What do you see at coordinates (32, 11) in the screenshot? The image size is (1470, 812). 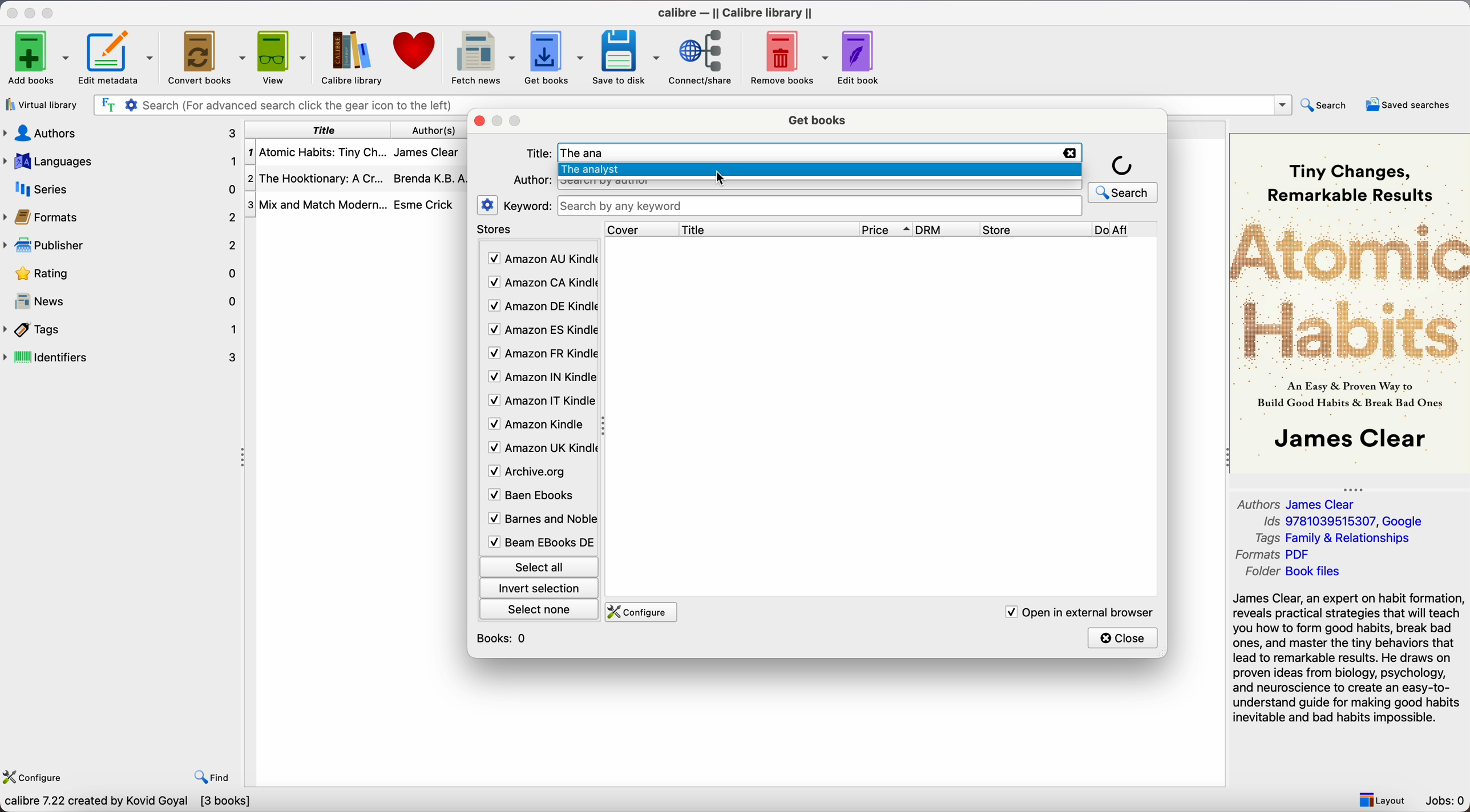 I see `minimize app` at bounding box center [32, 11].